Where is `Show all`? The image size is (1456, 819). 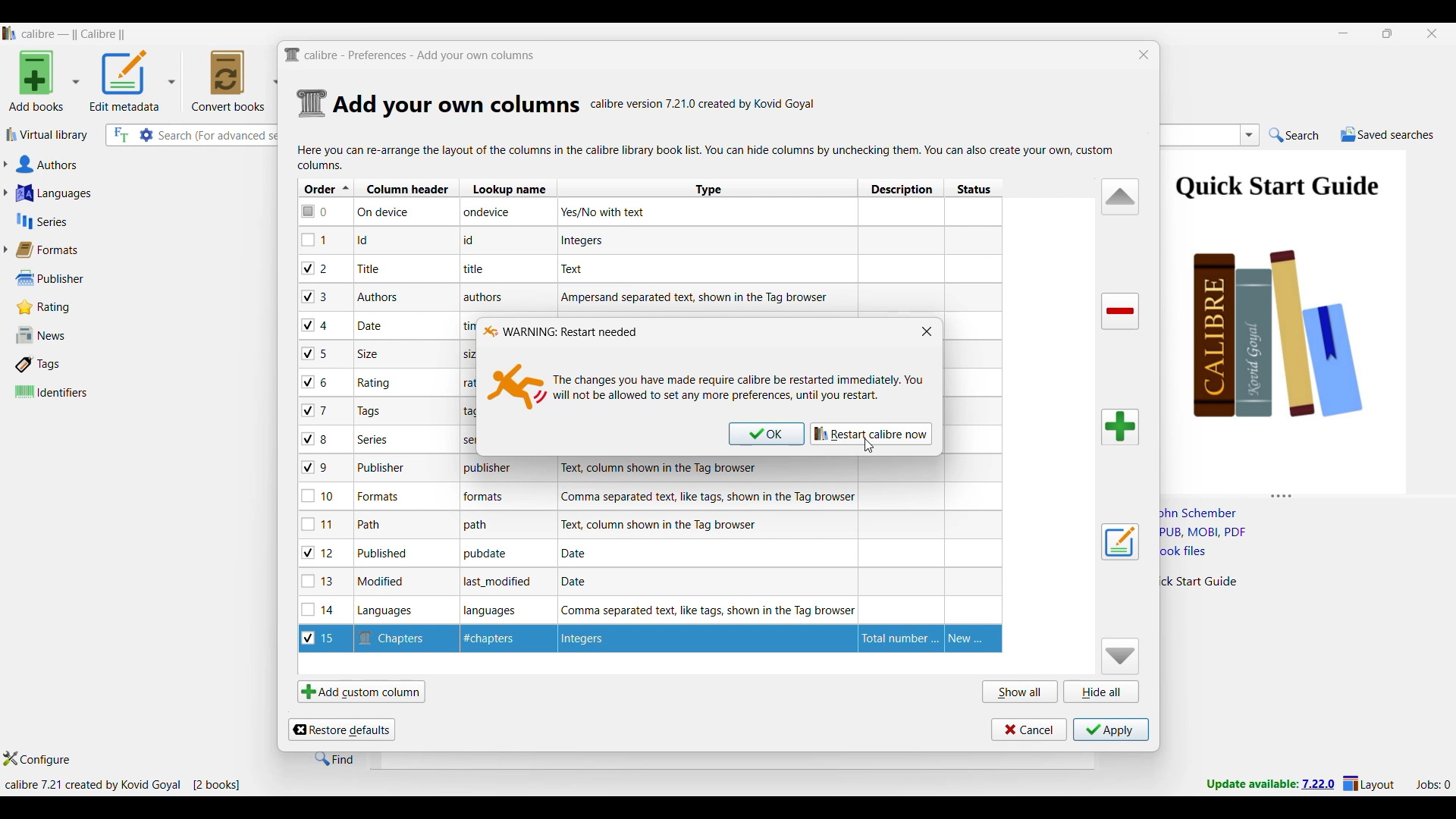
Show all is located at coordinates (1021, 691).